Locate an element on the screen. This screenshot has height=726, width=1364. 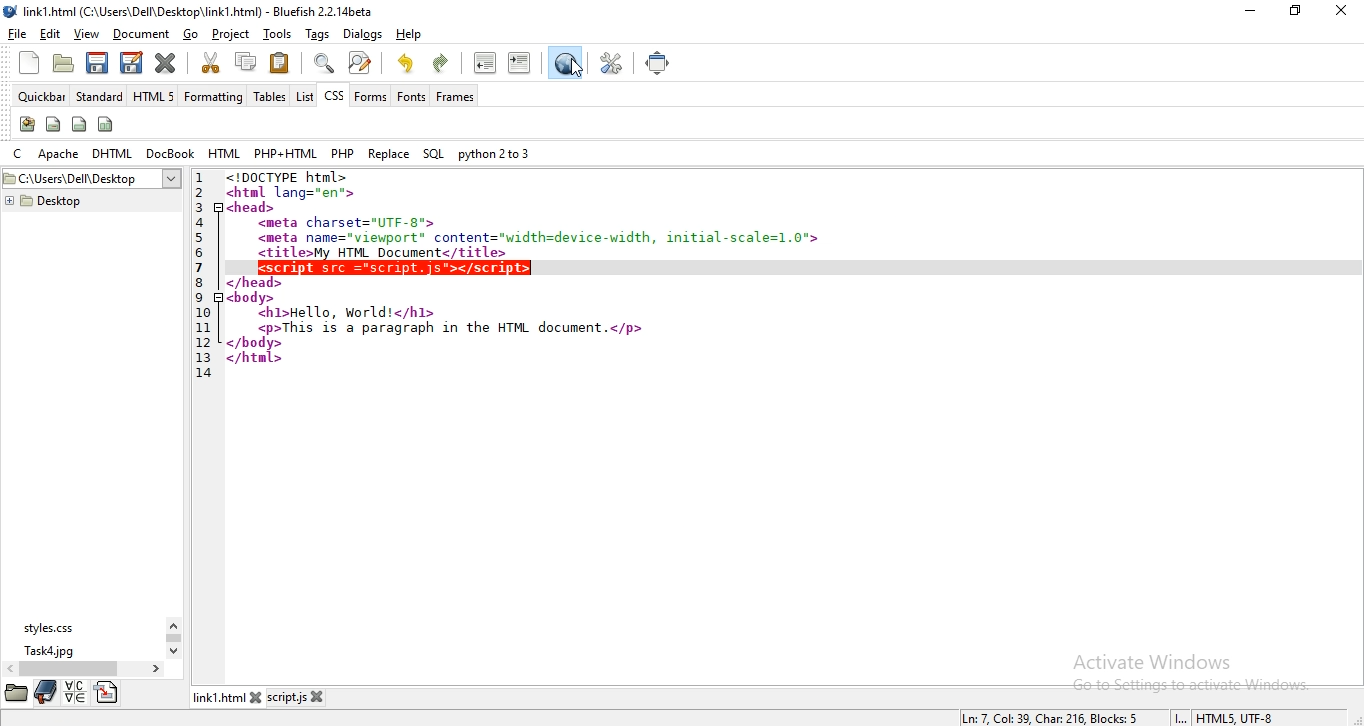
document is located at coordinates (141, 32).